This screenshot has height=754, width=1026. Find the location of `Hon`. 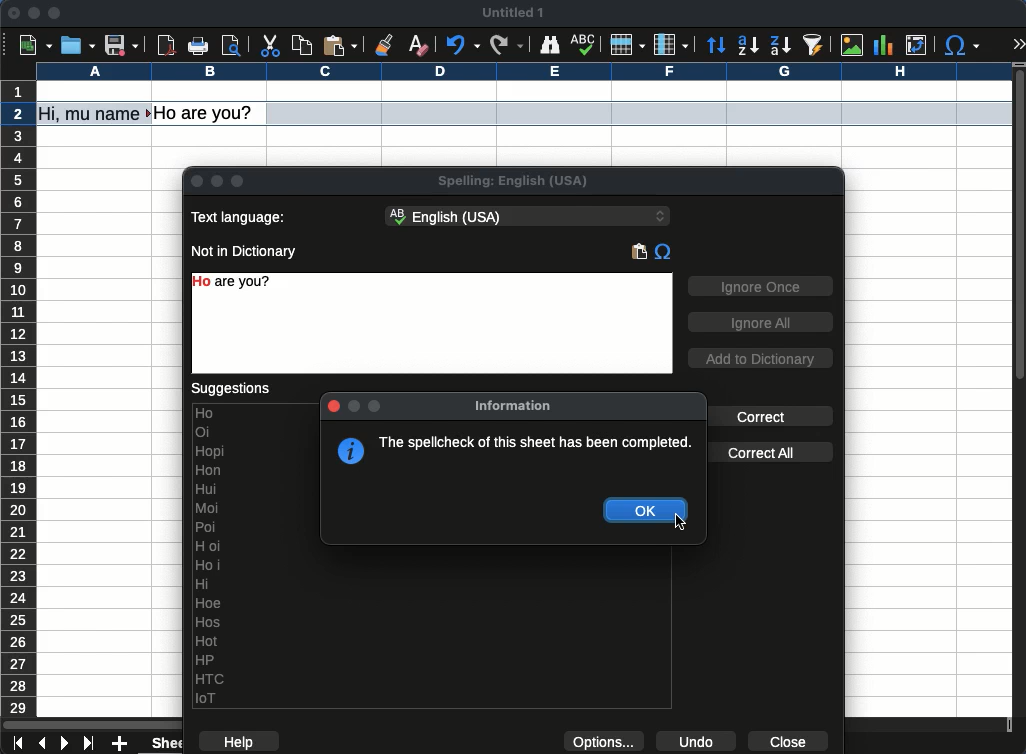

Hon is located at coordinates (211, 470).